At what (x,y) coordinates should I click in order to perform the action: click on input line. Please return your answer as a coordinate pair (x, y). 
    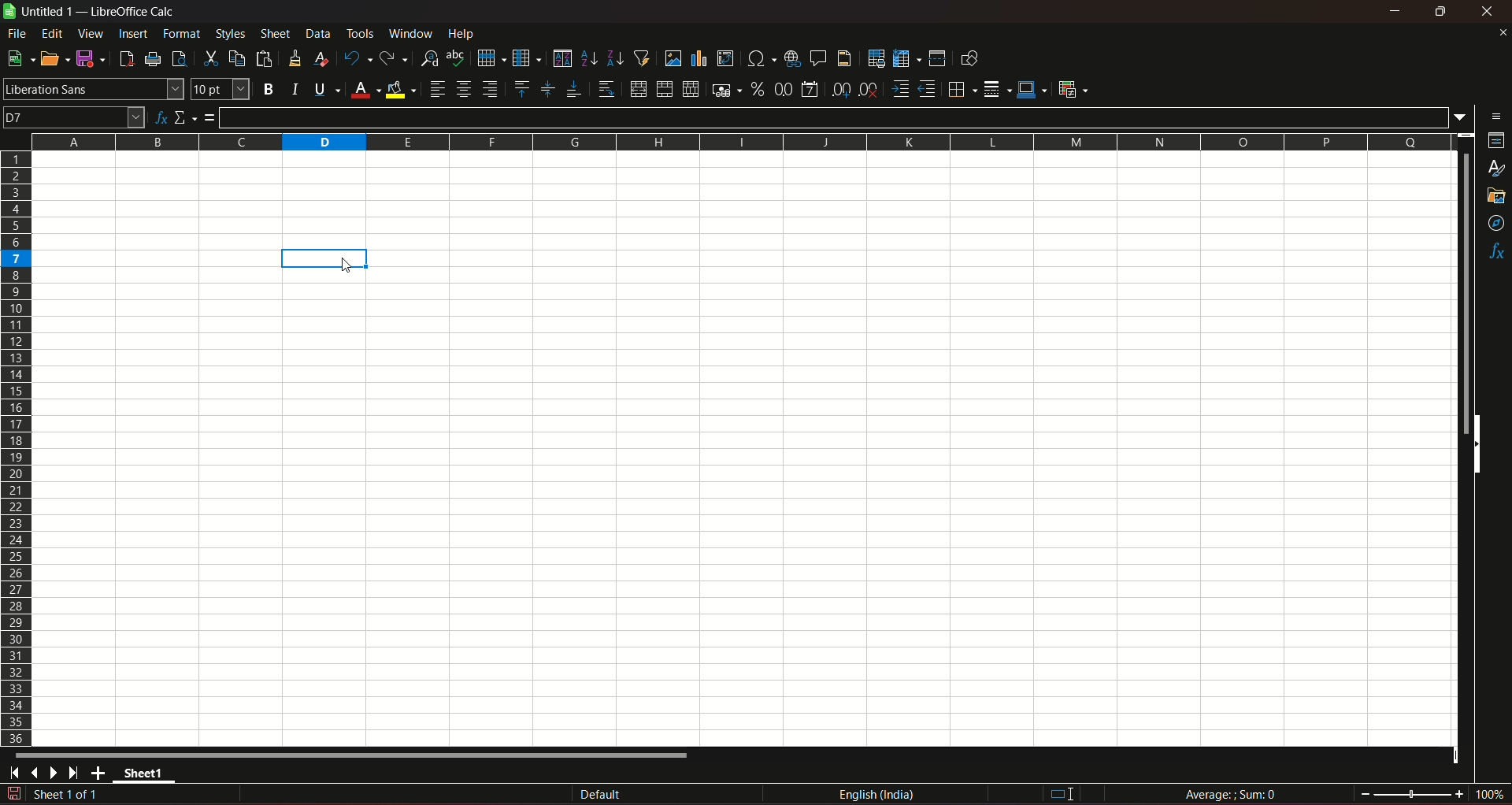
    Looking at the image, I should click on (837, 117).